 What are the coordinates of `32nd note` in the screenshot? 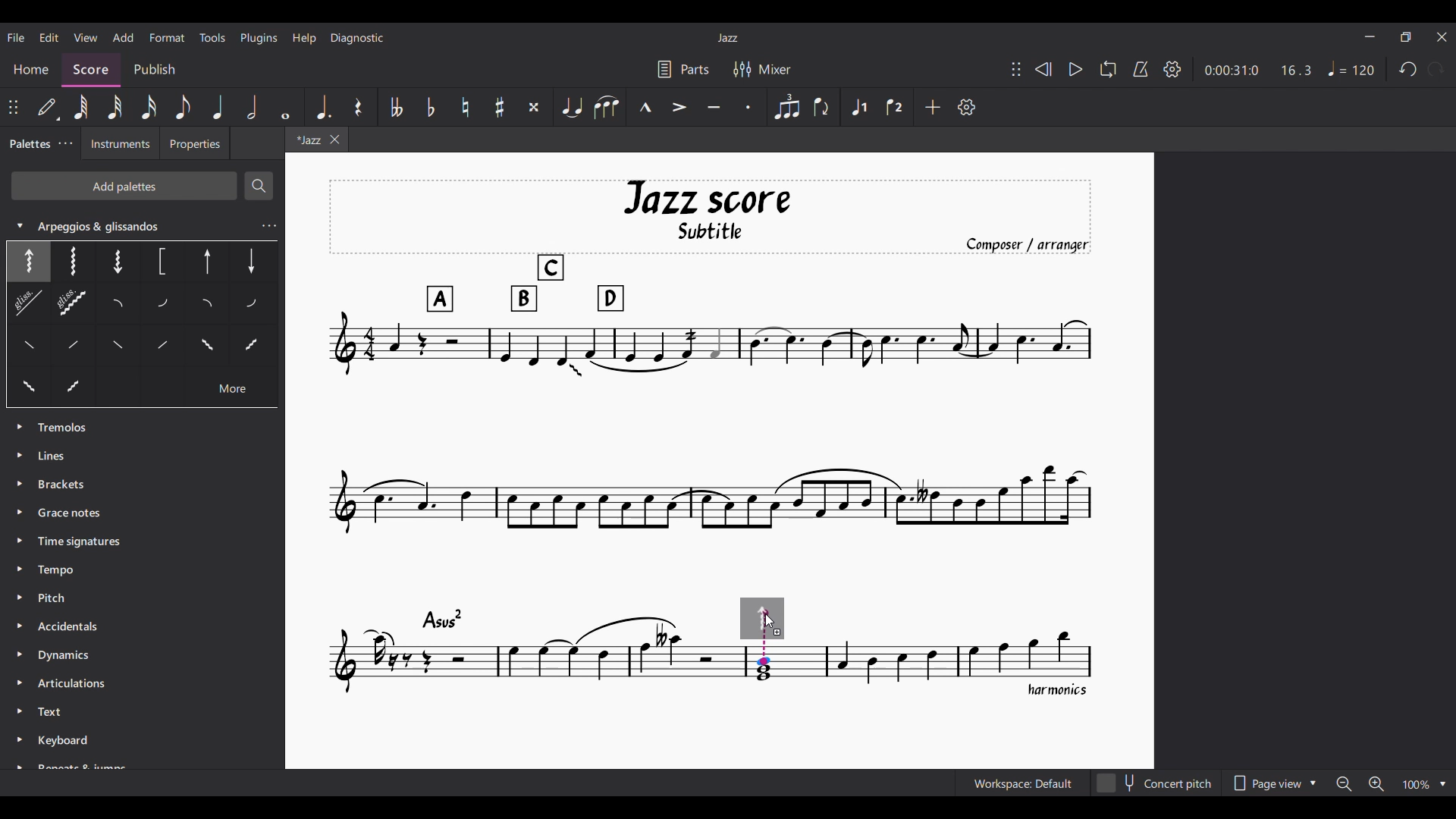 It's located at (115, 108).